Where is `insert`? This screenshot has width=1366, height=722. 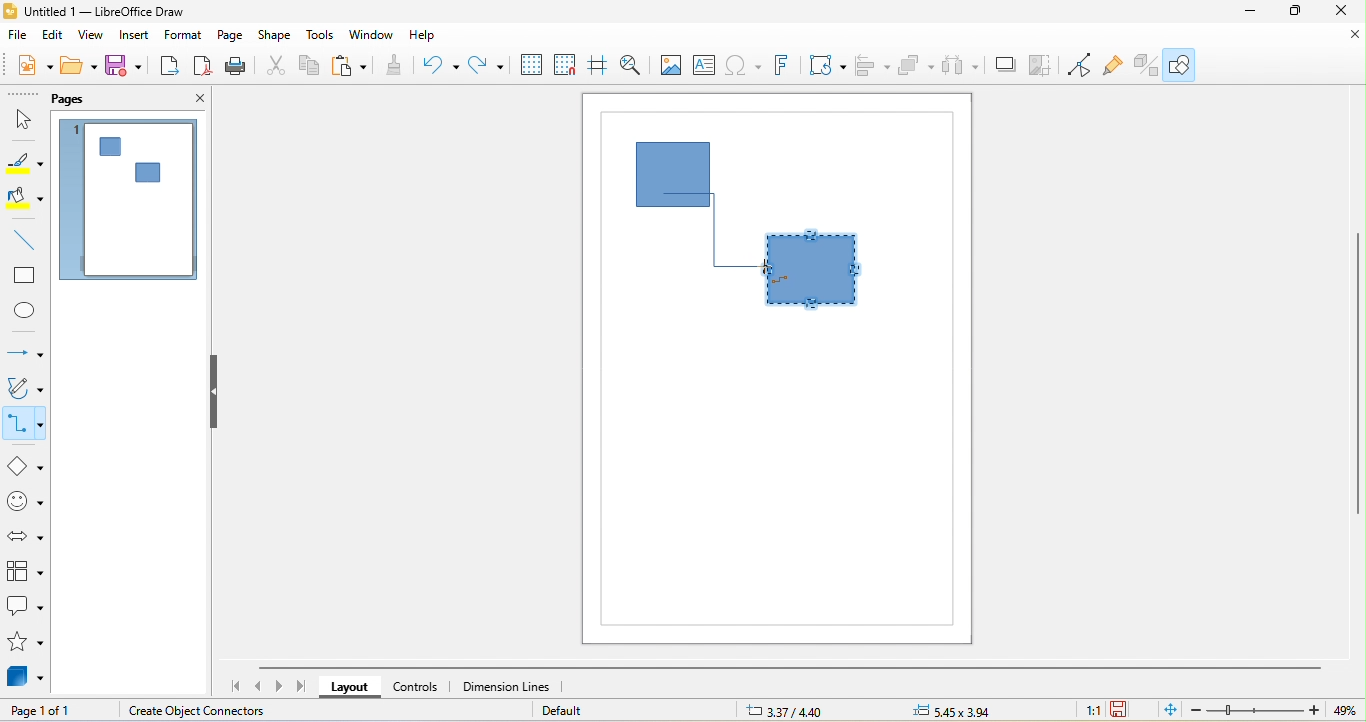
insert is located at coordinates (133, 35).